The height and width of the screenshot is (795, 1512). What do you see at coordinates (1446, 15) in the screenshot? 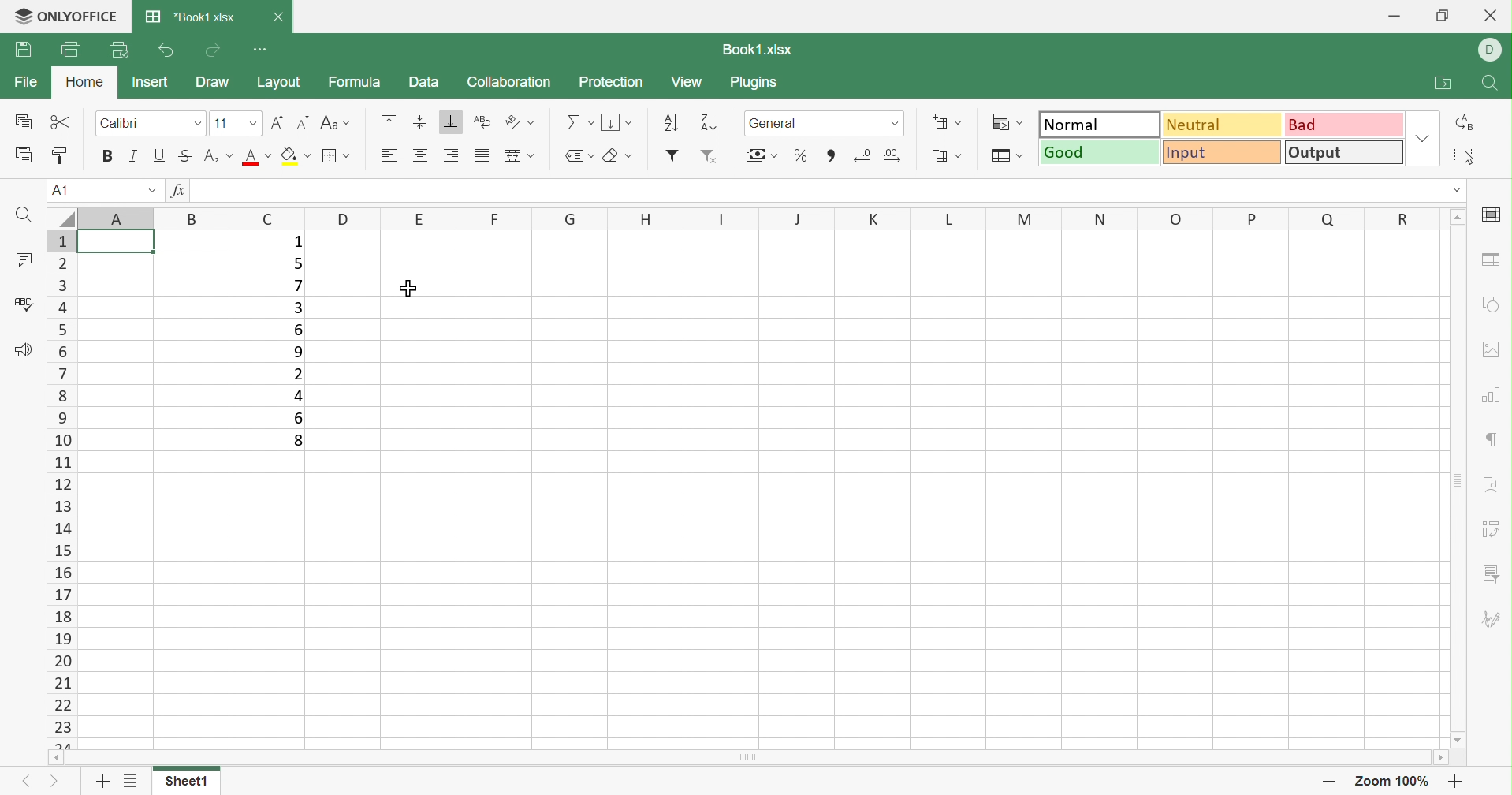
I see `Restore Down` at bounding box center [1446, 15].